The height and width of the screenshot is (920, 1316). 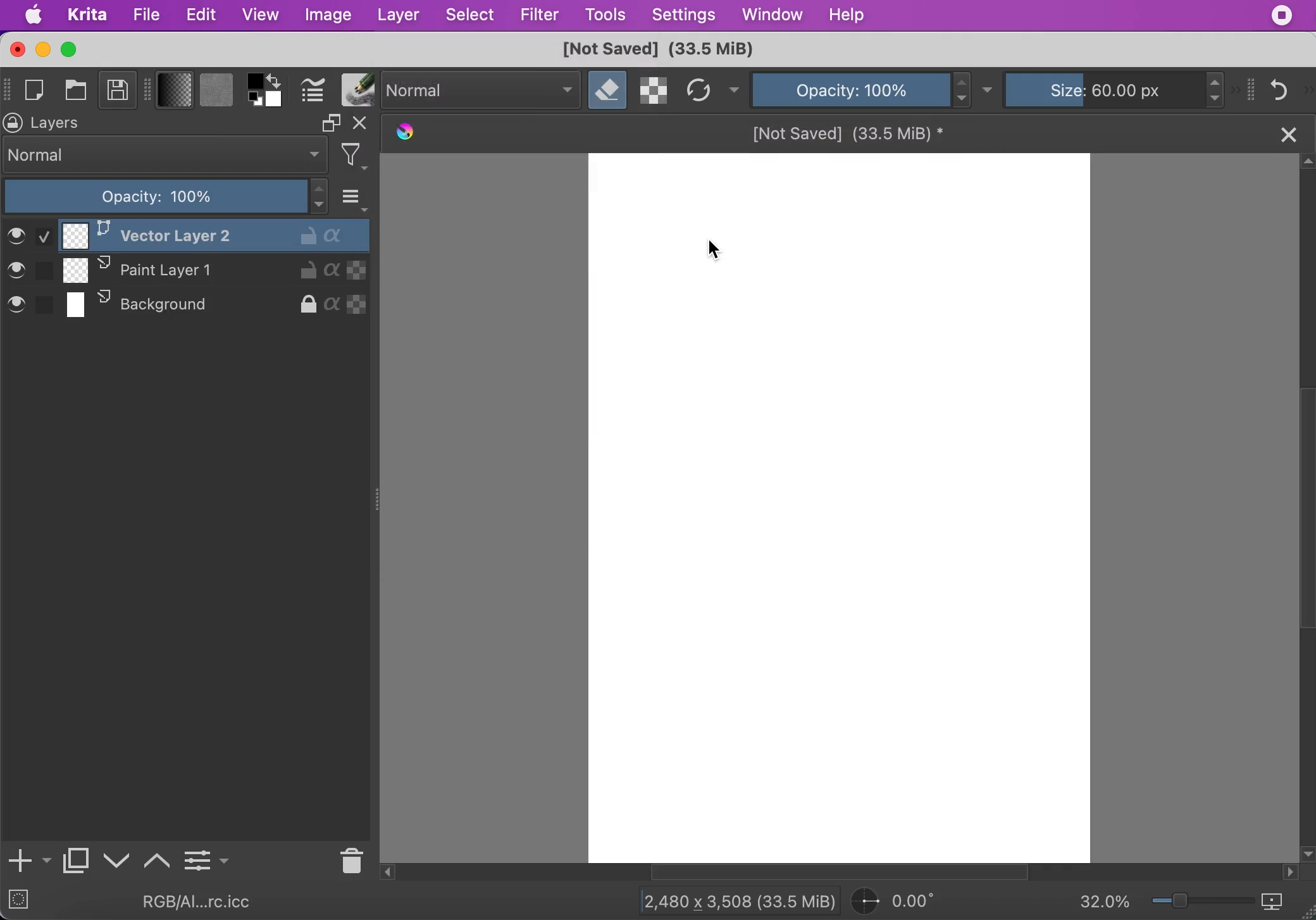 I want to click on zoom, so click(x=1203, y=904).